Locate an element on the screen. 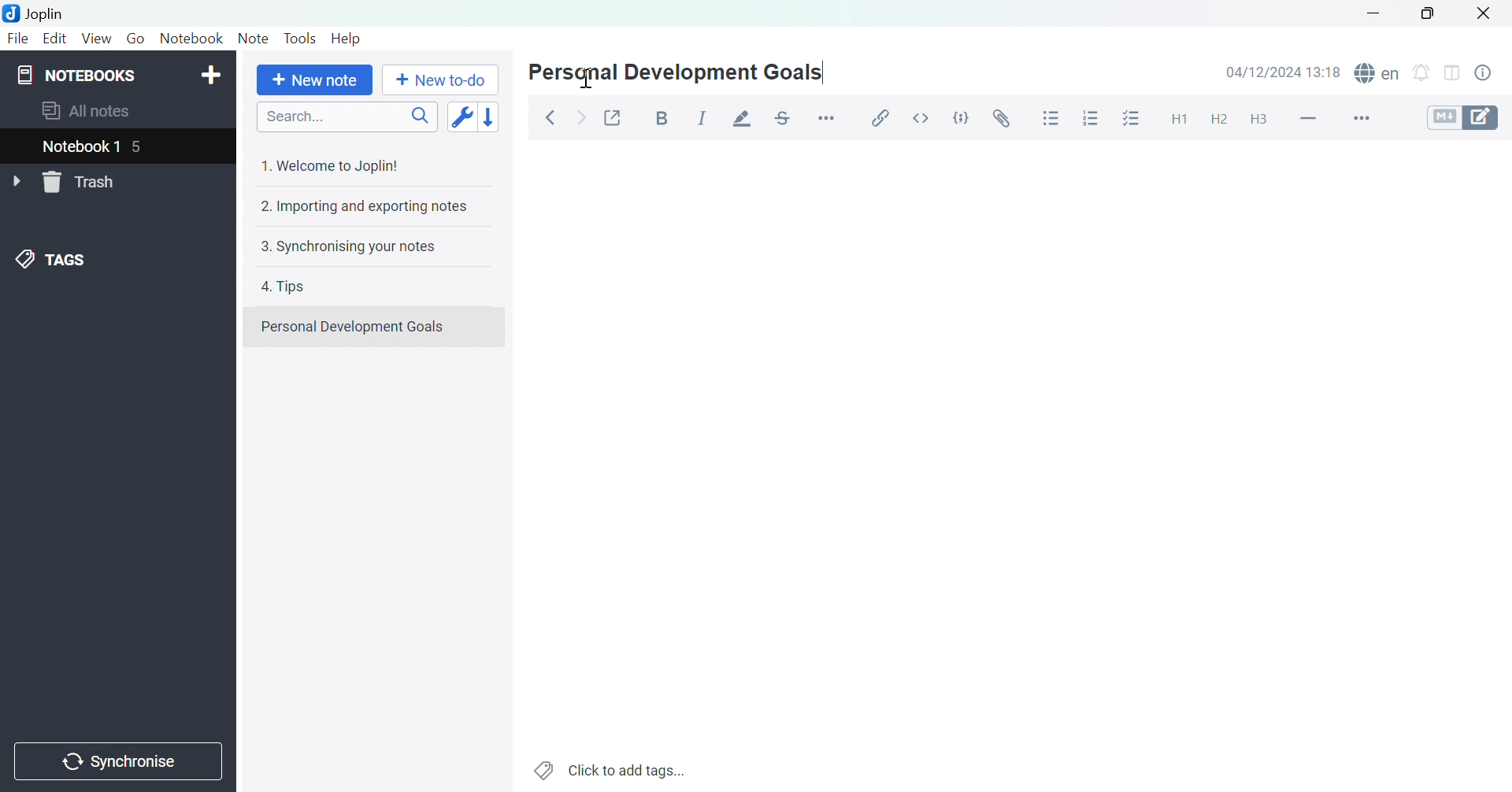  New note is located at coordinates (314, 81).